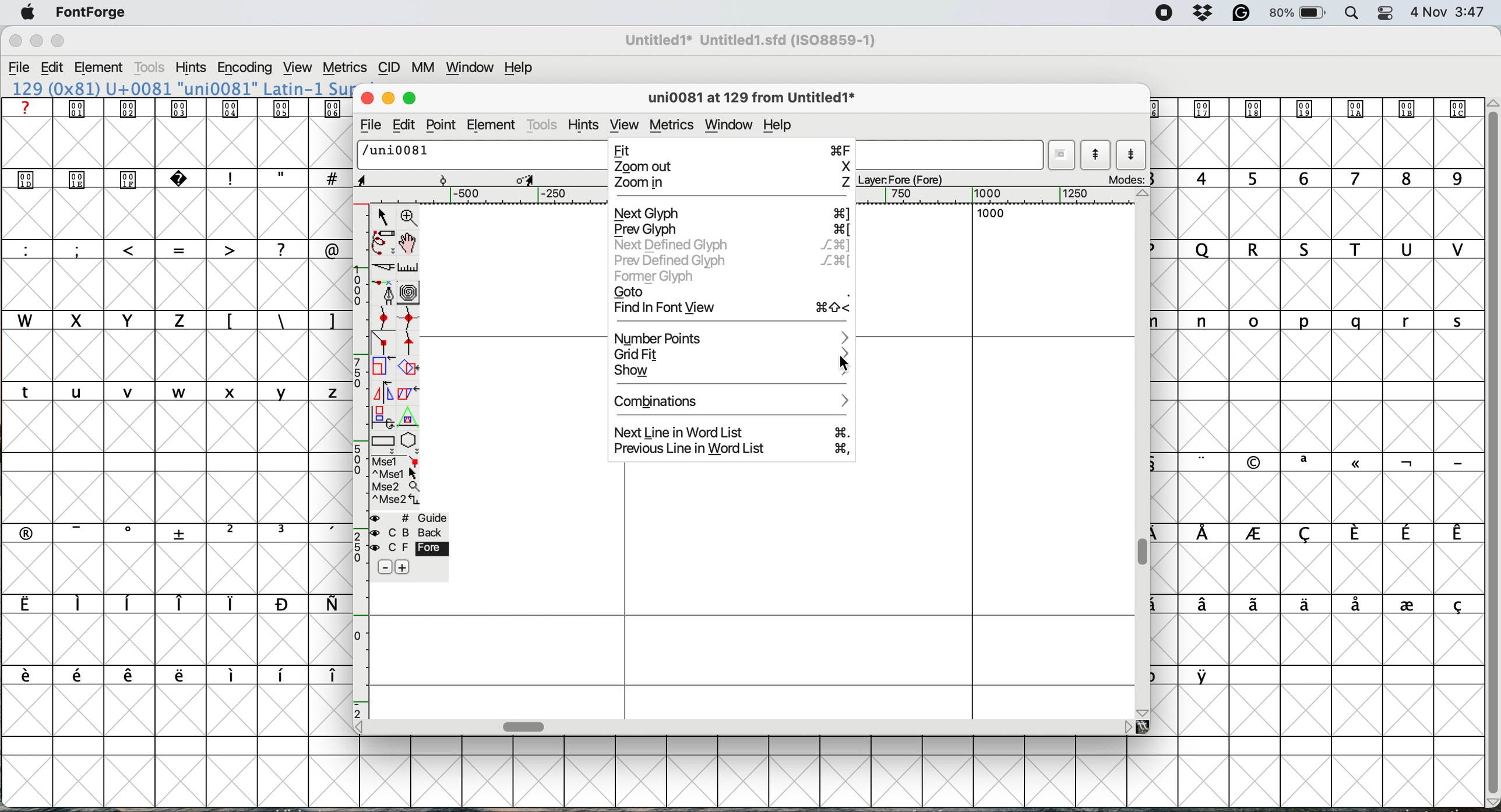  Describe the element at coordinates (991, 214) in the screenshot. I see `1000` at that location.